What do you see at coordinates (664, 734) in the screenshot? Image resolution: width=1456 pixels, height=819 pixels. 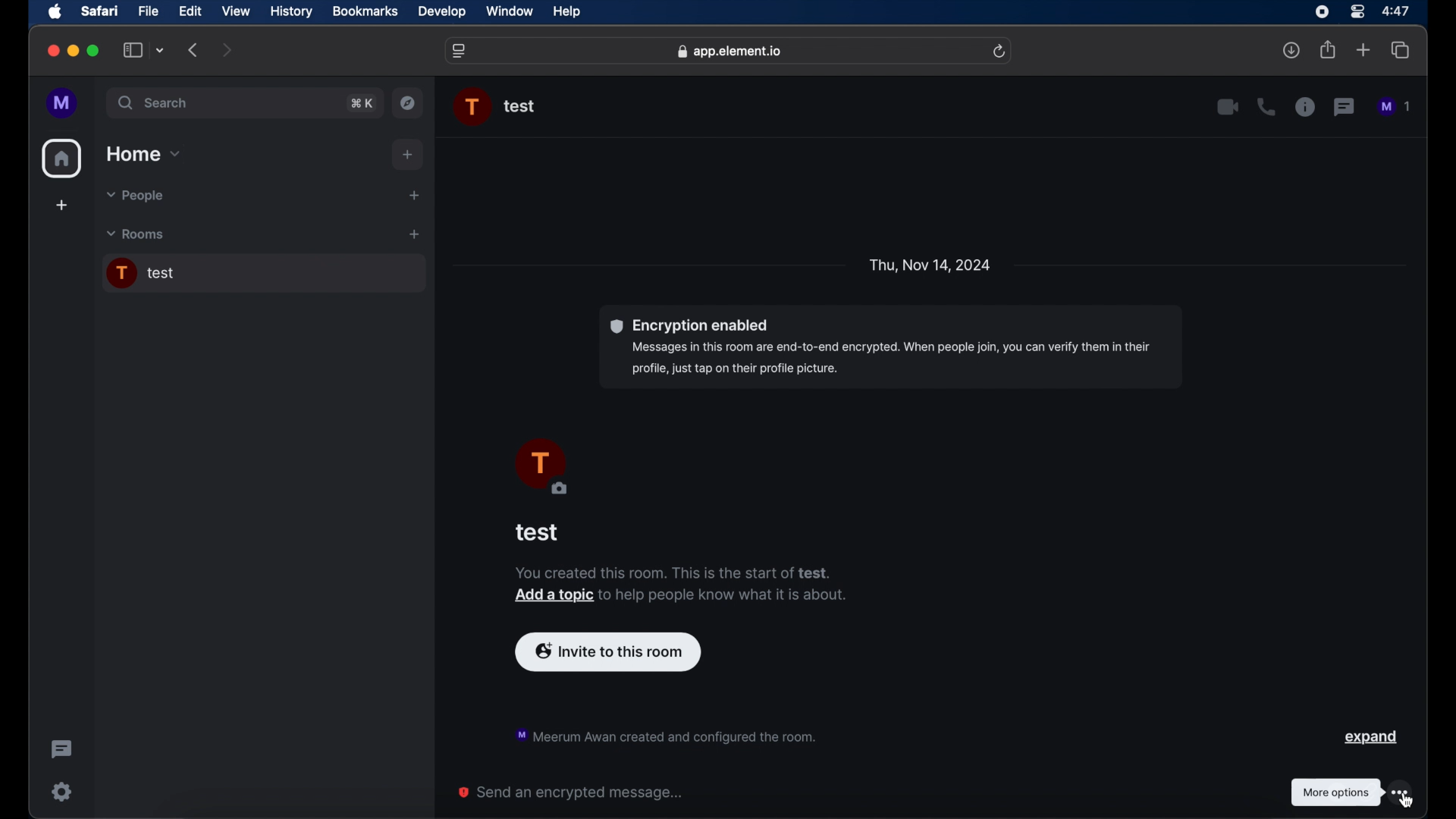 I see `notification` at bounding box center [664, 734].